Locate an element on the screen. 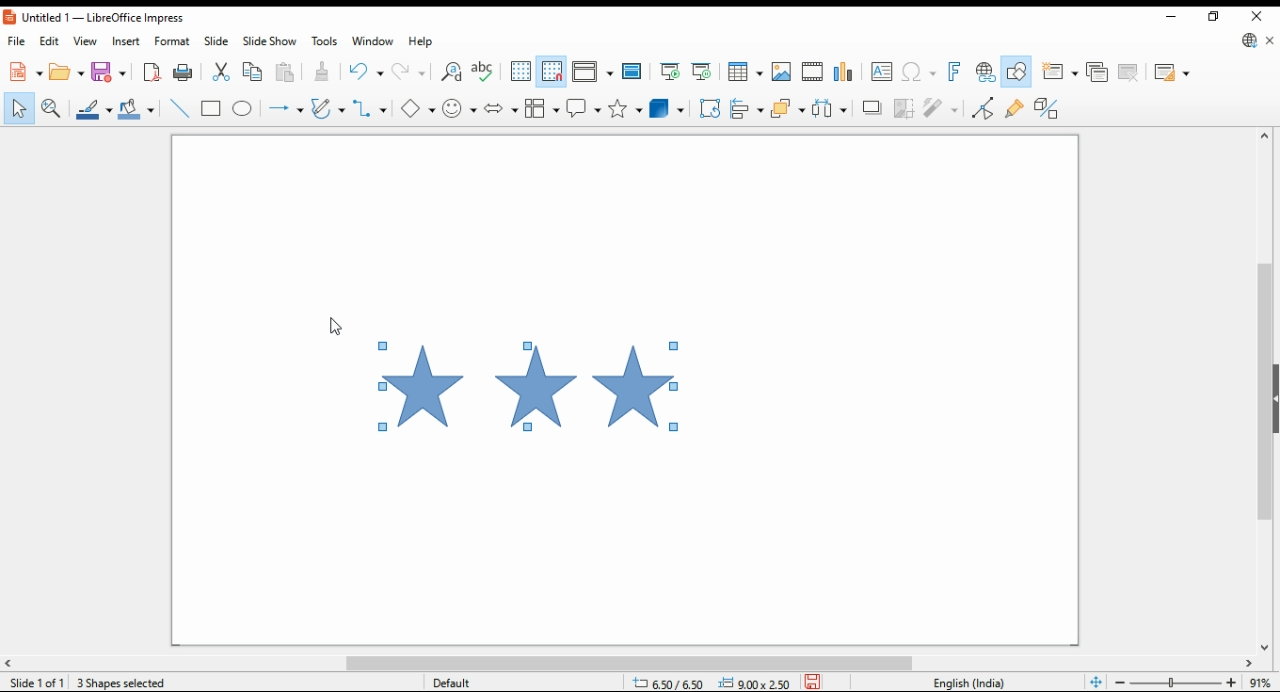 The image size is (1280, 692). ellipse is located at coordinates (242, 108).